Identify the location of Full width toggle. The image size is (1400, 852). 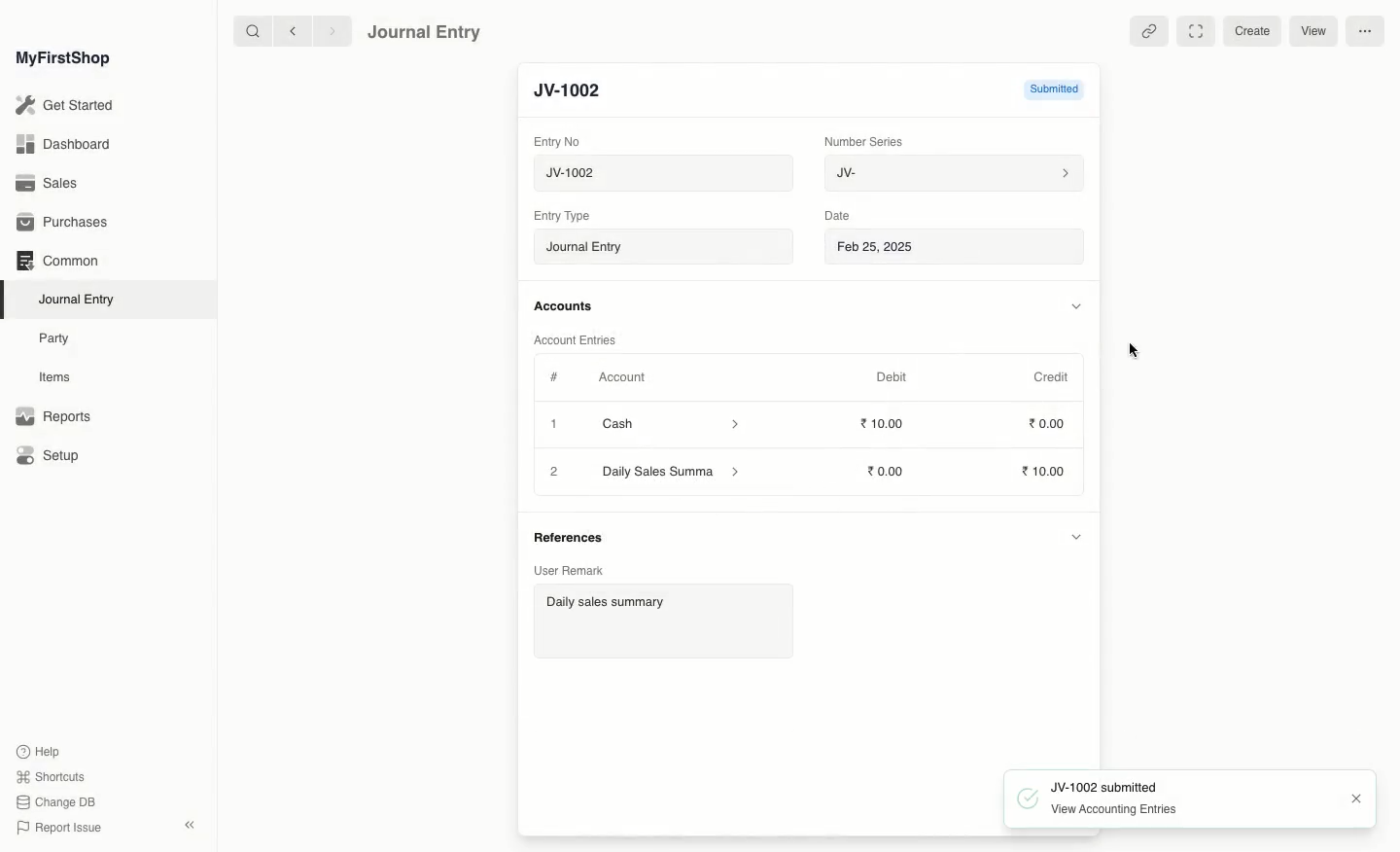
(1199, 30).